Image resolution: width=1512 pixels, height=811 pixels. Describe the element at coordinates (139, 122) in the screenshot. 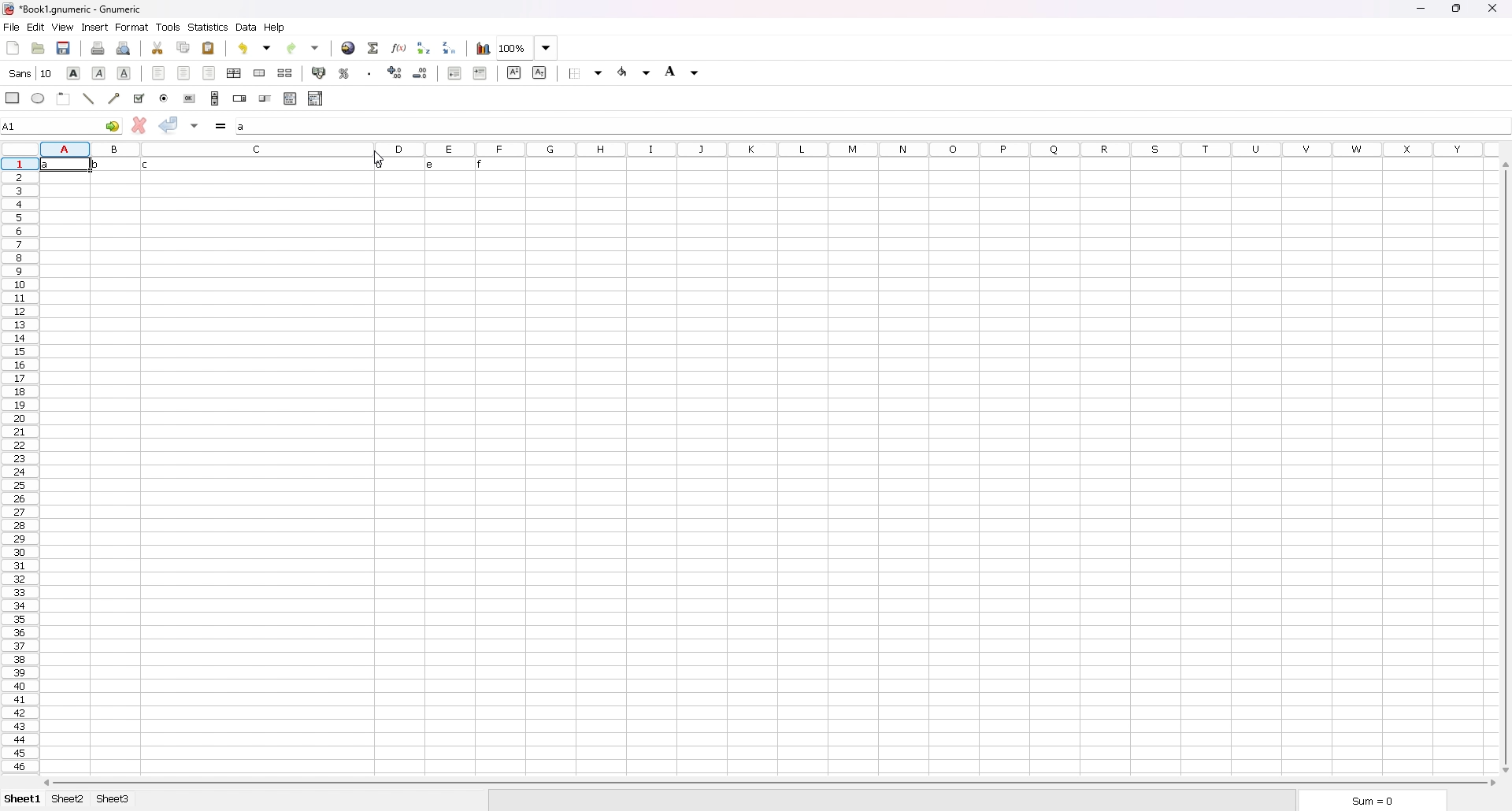

I see `cancel changes` at that location.